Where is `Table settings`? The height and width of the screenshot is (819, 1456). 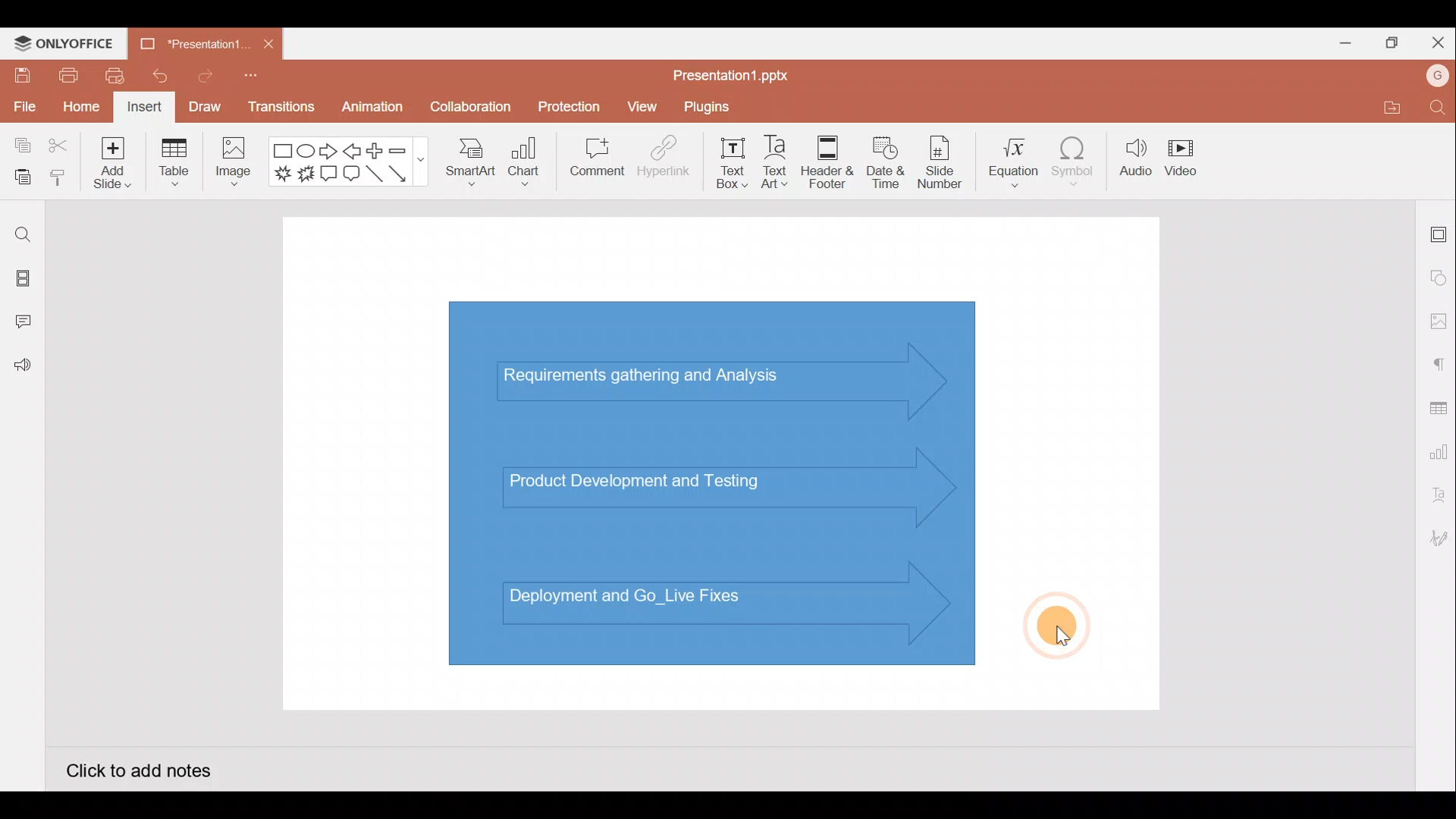 Table settings is located at coordinates (1435, 406).